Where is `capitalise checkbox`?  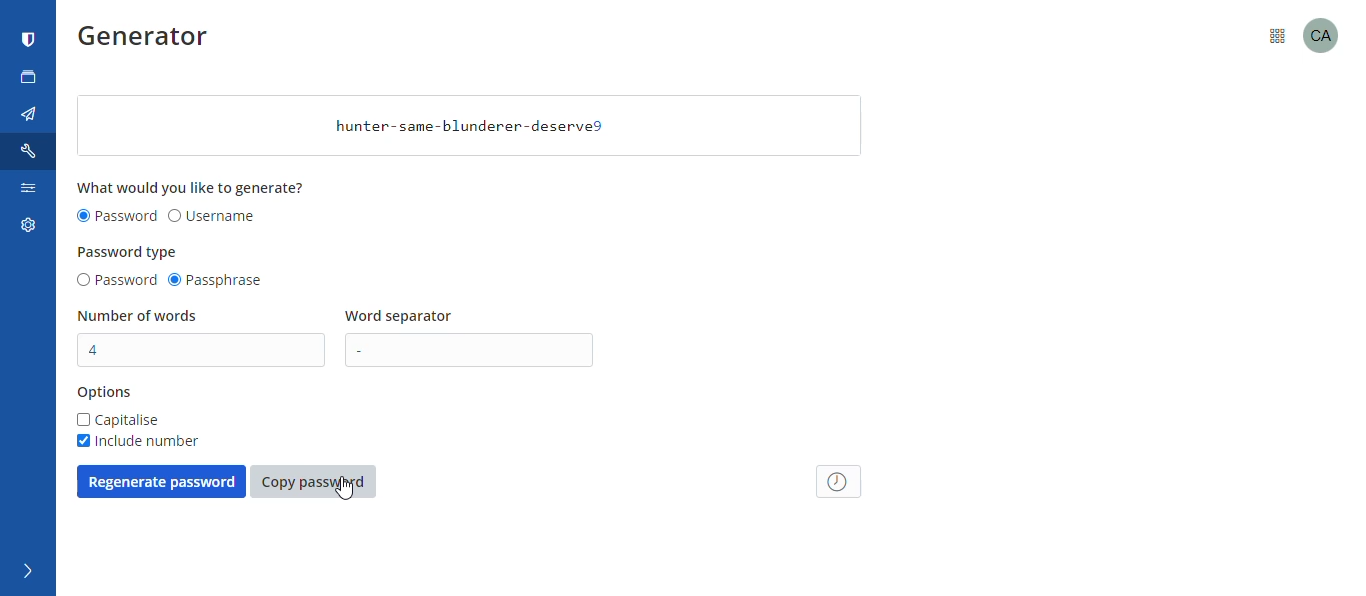 capitalise checkbox is located at coordinates (119, 420).